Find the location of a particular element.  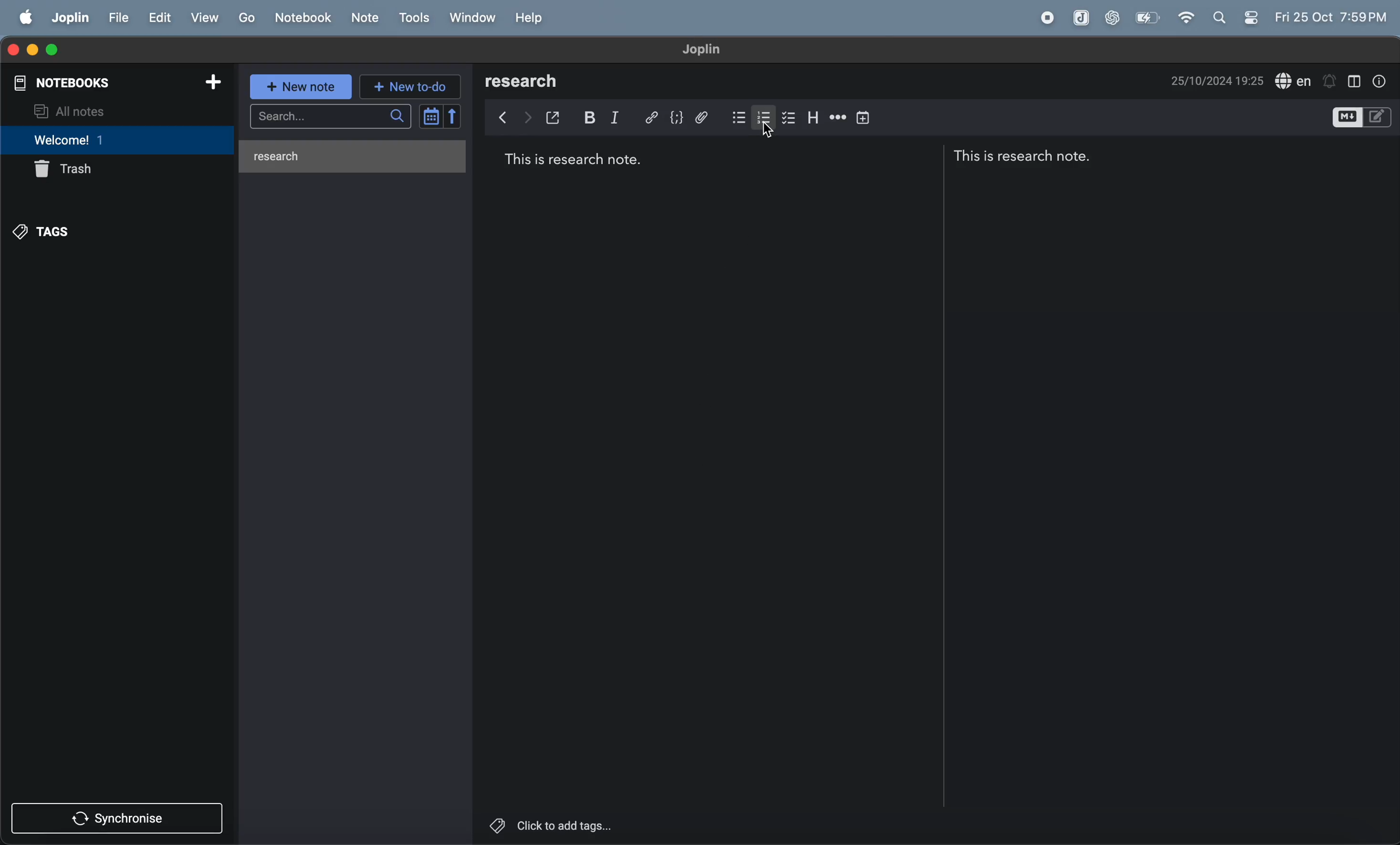

Fri 25 Oct 7:59PM is located at coordinates (1327, 14).